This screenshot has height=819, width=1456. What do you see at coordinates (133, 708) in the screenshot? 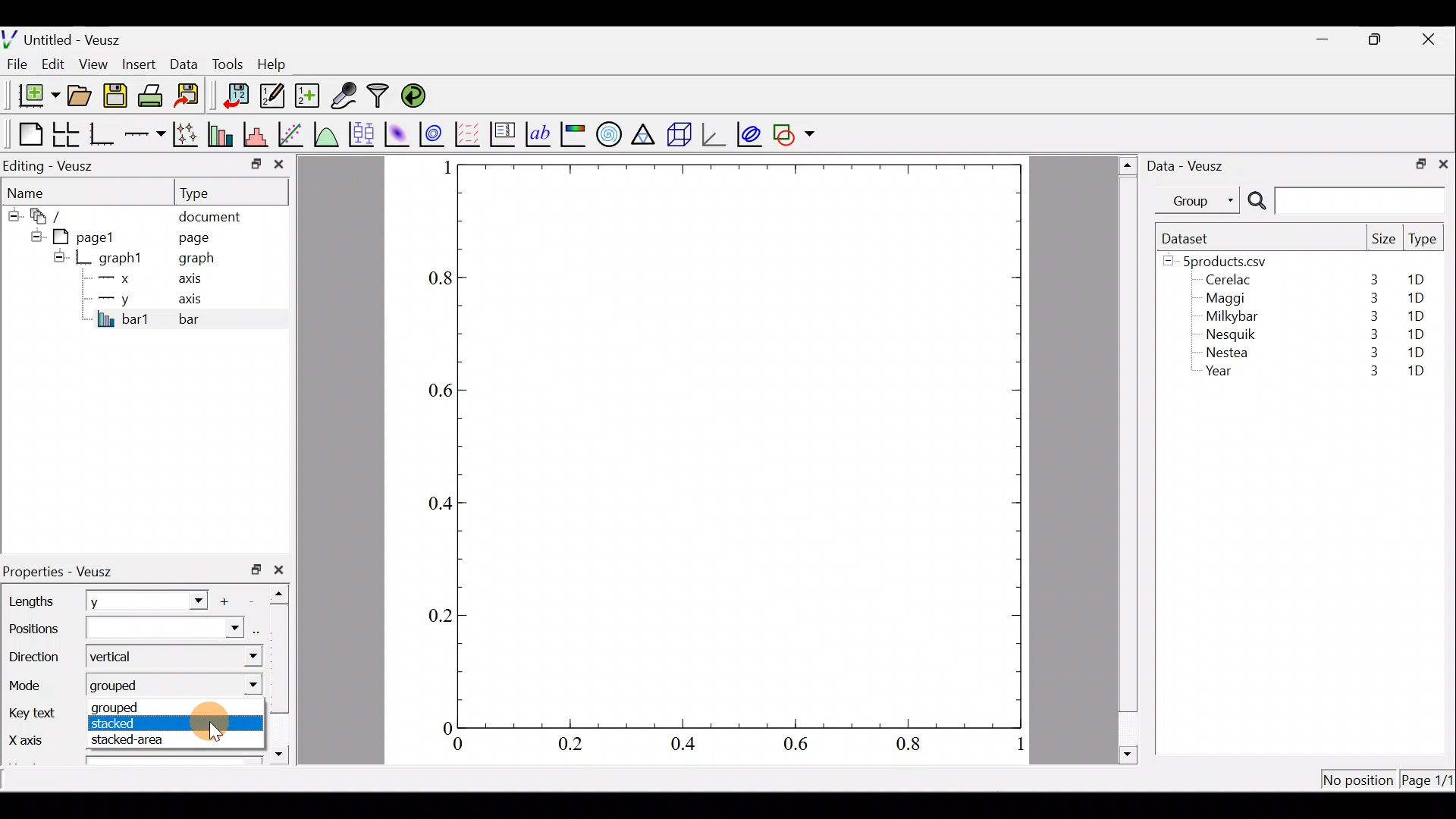
I see `grouped` at bounding box center [133, 708].